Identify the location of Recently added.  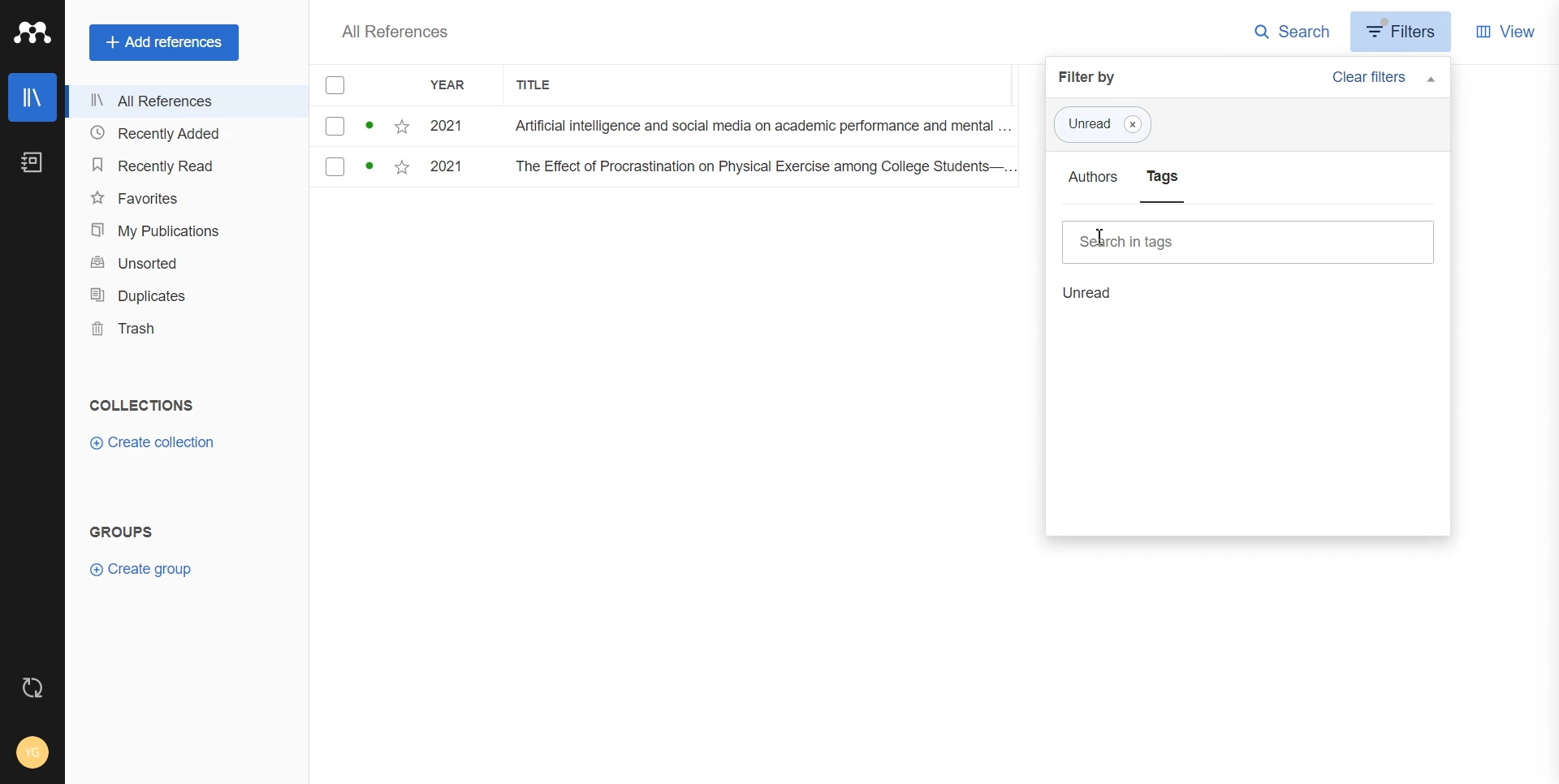
(185, 134).